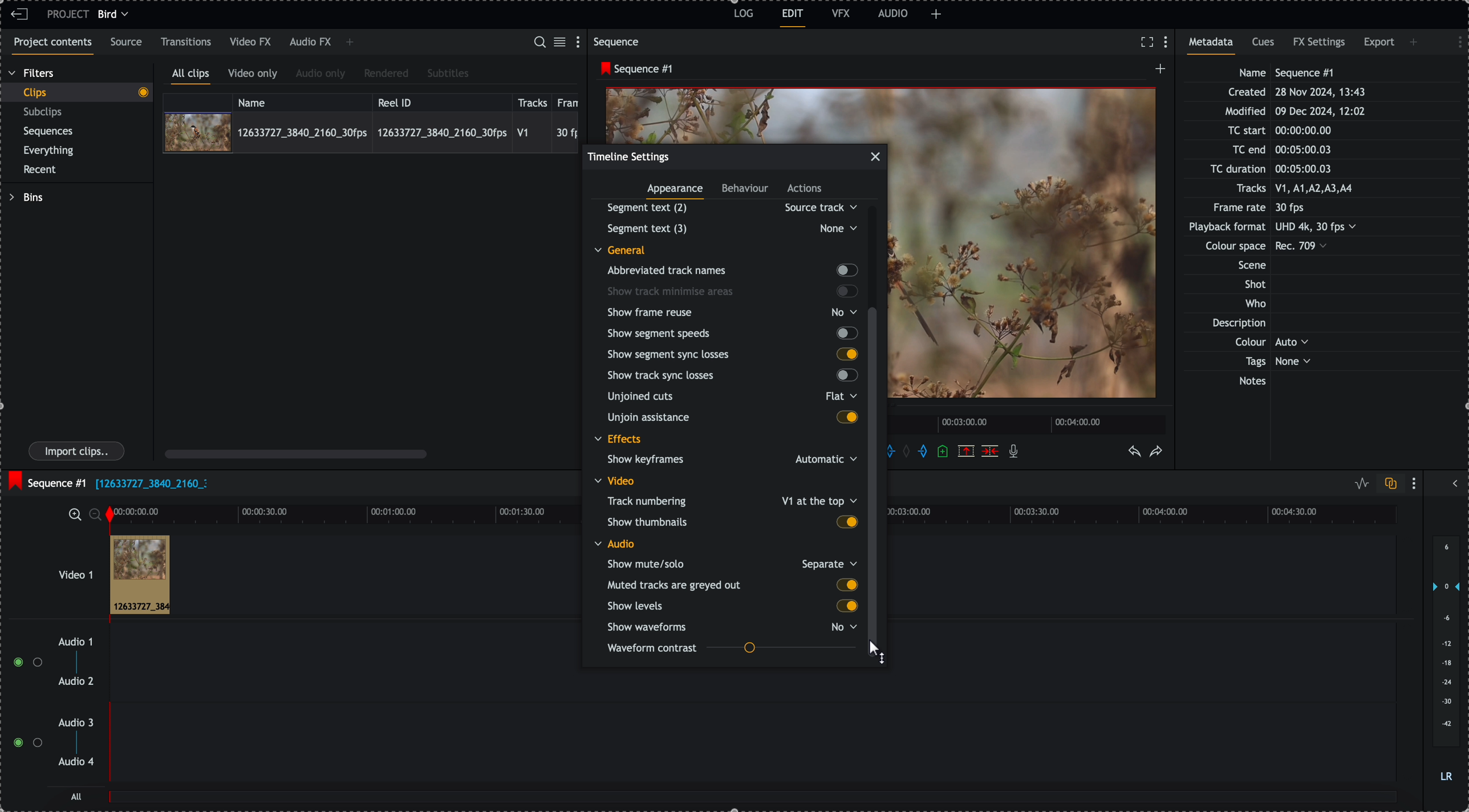  What do you see at coordinates (128, 43) in the screenshot?
I see `source` at bounding box center [128, 43].